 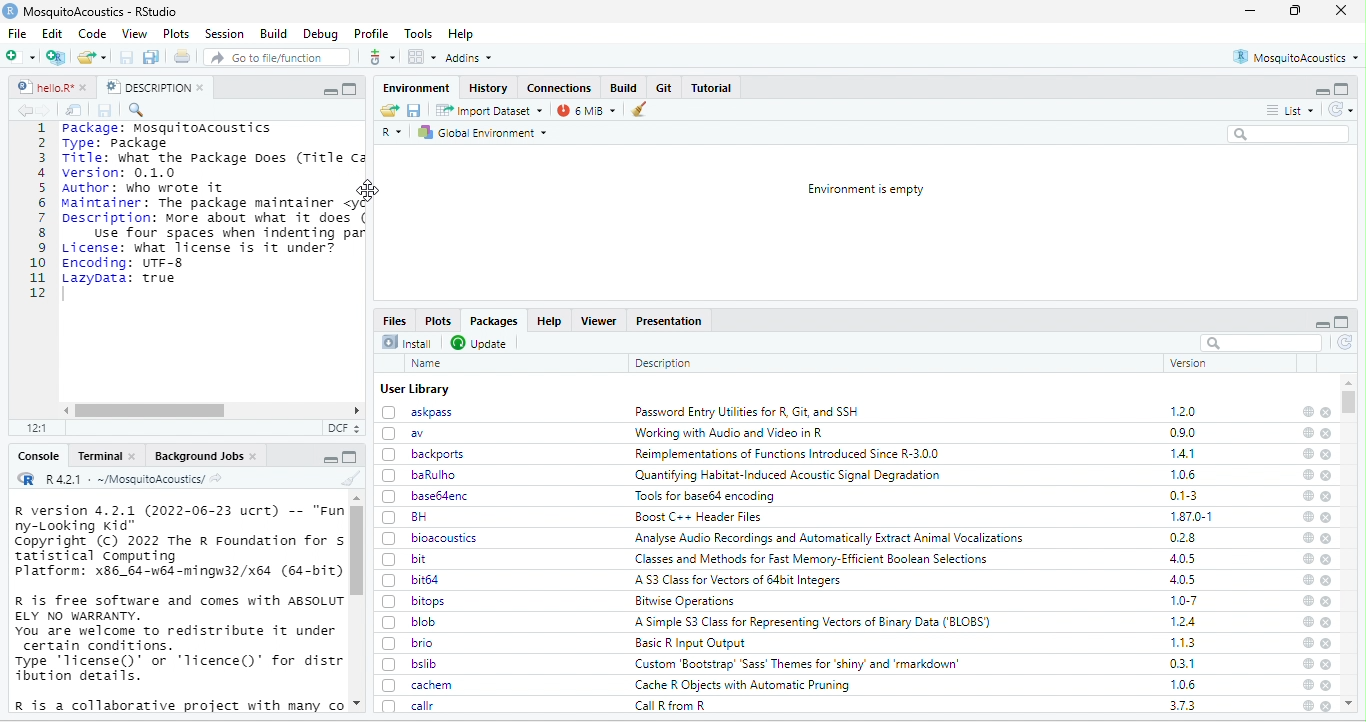 I want to click on 1.0-7, so click(x=1182, y=601).